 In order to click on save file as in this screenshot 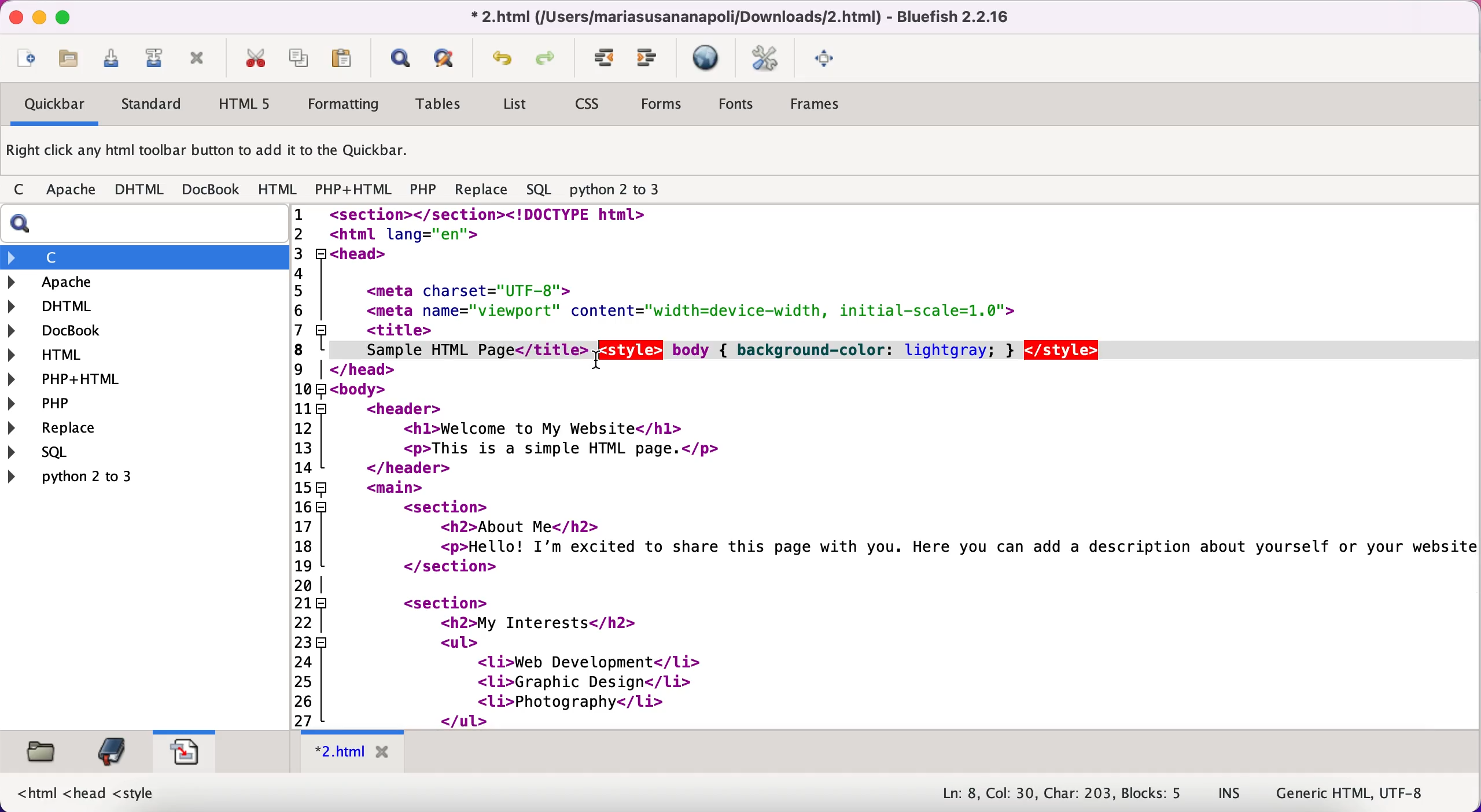, I will do `click(153, 58)`.